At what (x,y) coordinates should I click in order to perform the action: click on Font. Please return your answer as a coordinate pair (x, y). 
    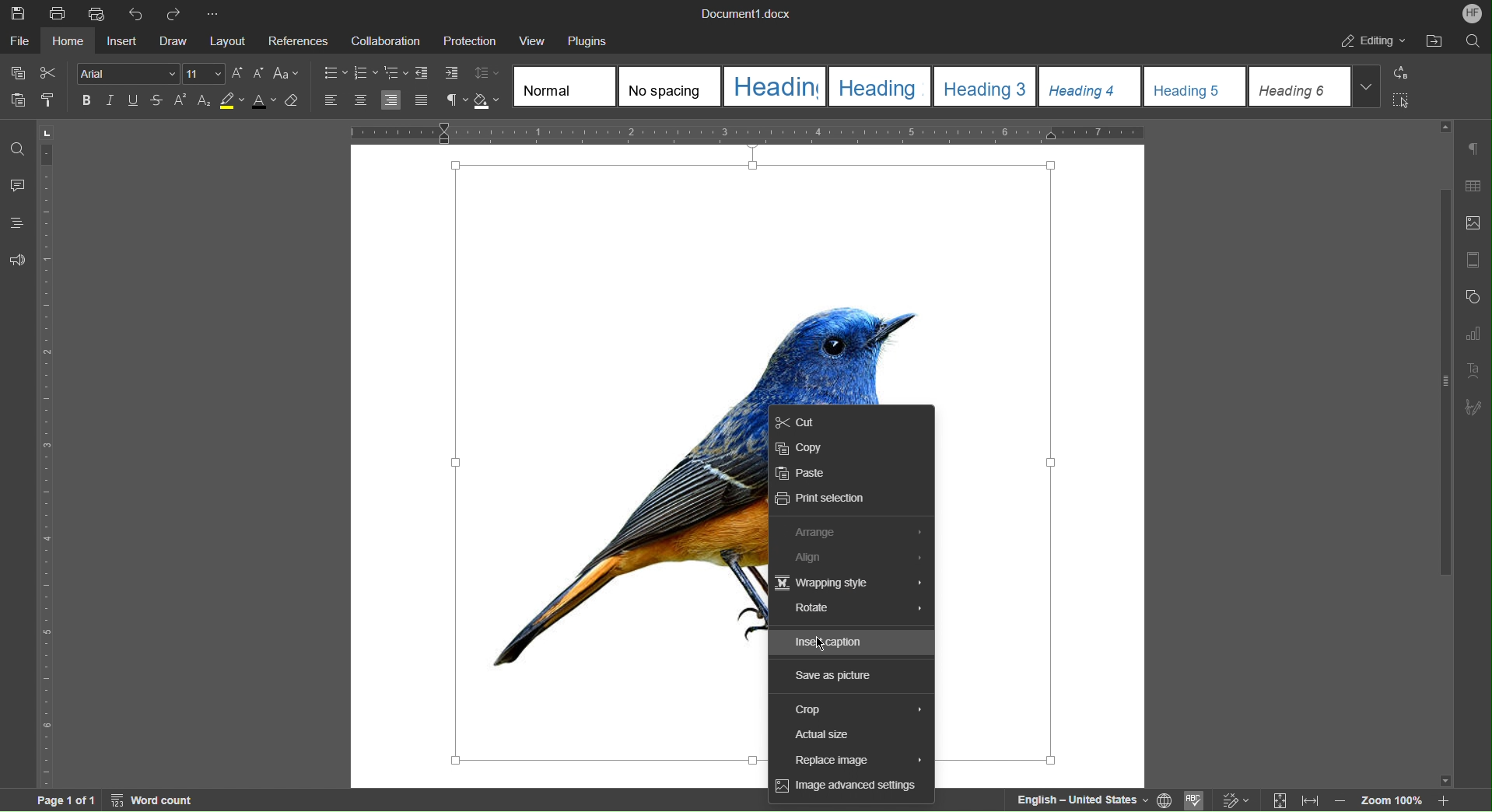
    Looking at the image, I should click on (129, 73).